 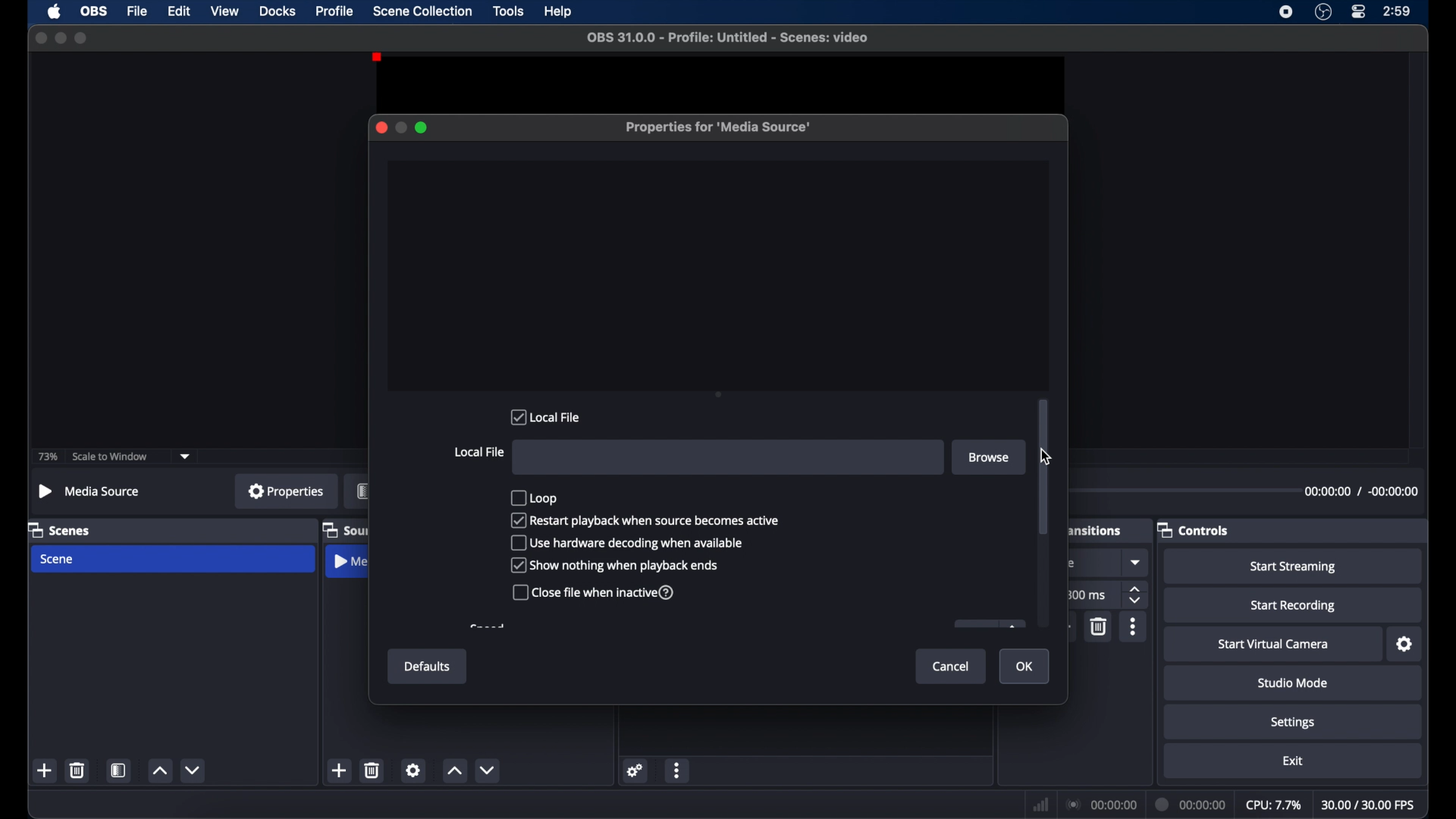 I want to click on duration, so click(x=1191, y=805).